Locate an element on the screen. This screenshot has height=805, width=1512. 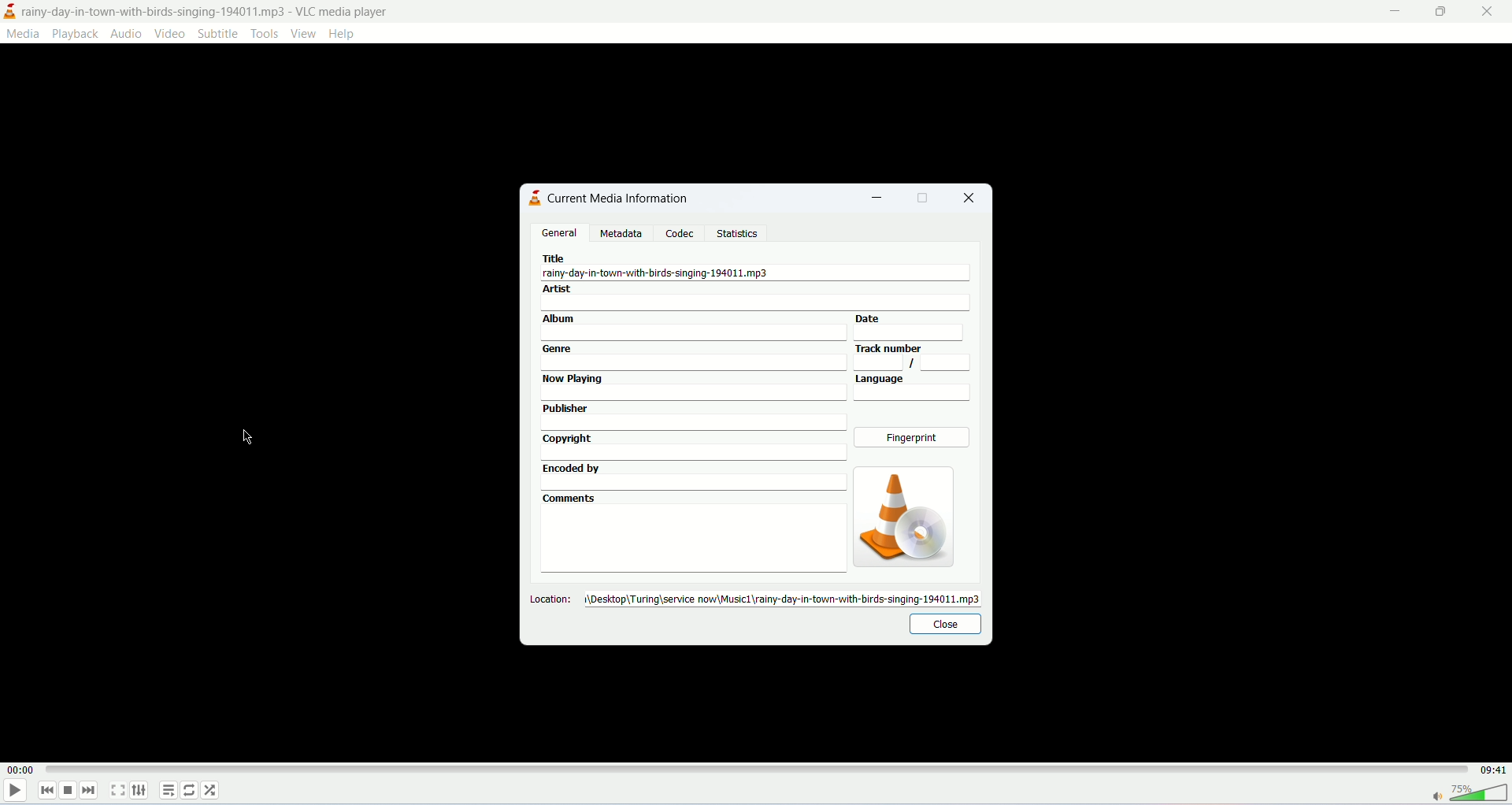
minimize is located at coordinates (1395, 13).